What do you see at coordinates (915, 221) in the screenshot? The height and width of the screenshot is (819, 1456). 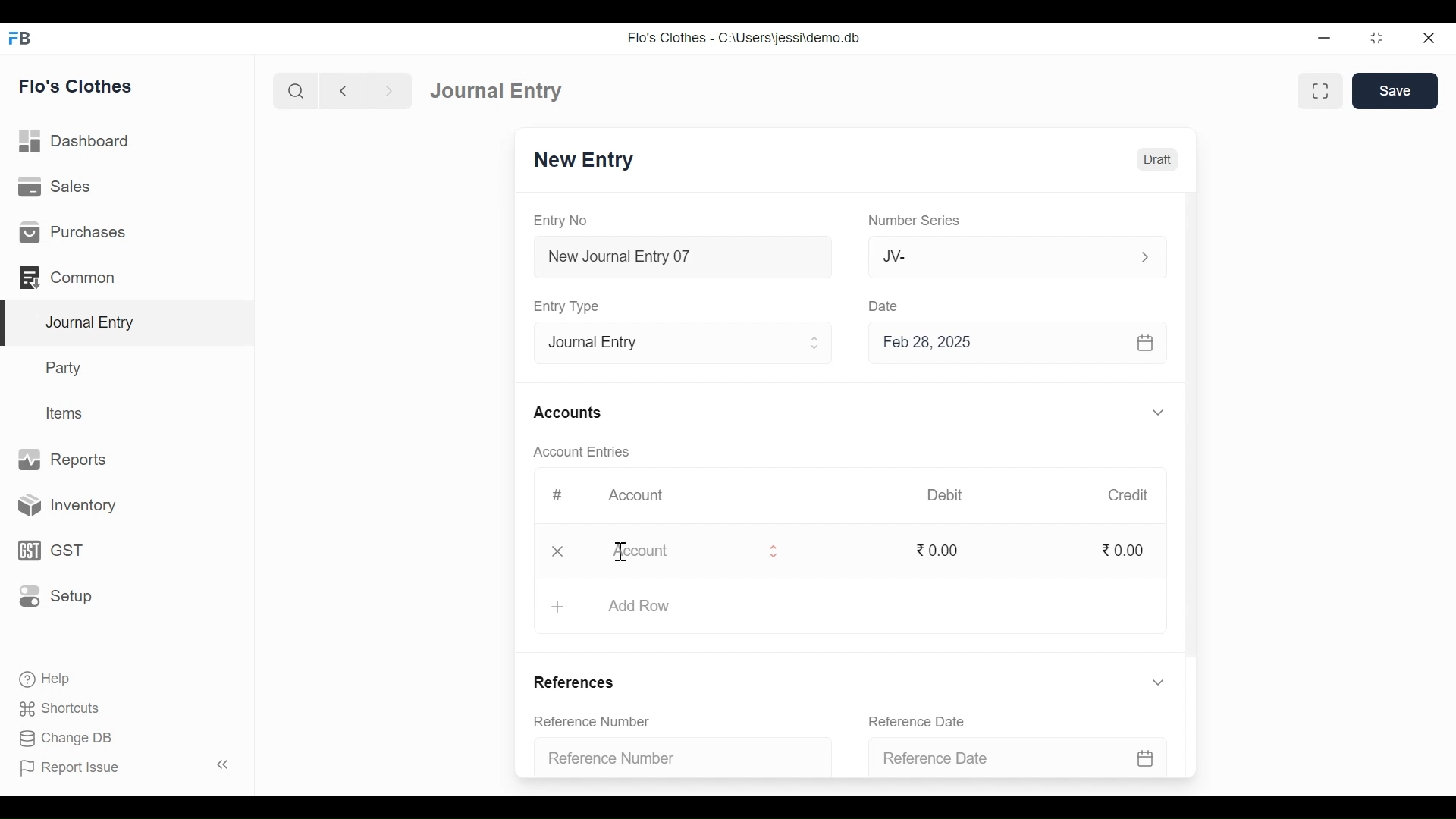 I see `Number Series` at bounding box center [915, 221].